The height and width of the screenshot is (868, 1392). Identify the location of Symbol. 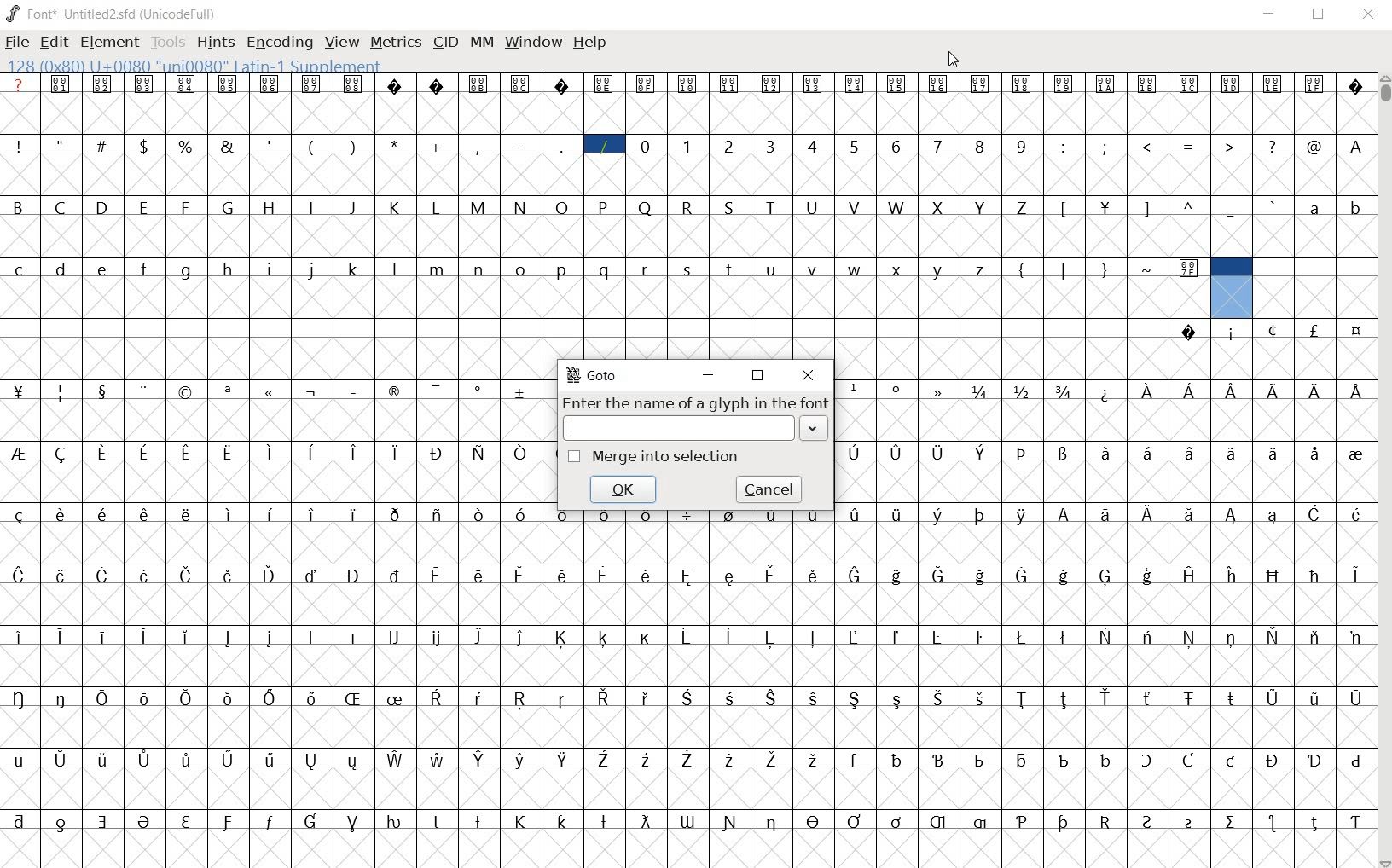
(1024, 454).